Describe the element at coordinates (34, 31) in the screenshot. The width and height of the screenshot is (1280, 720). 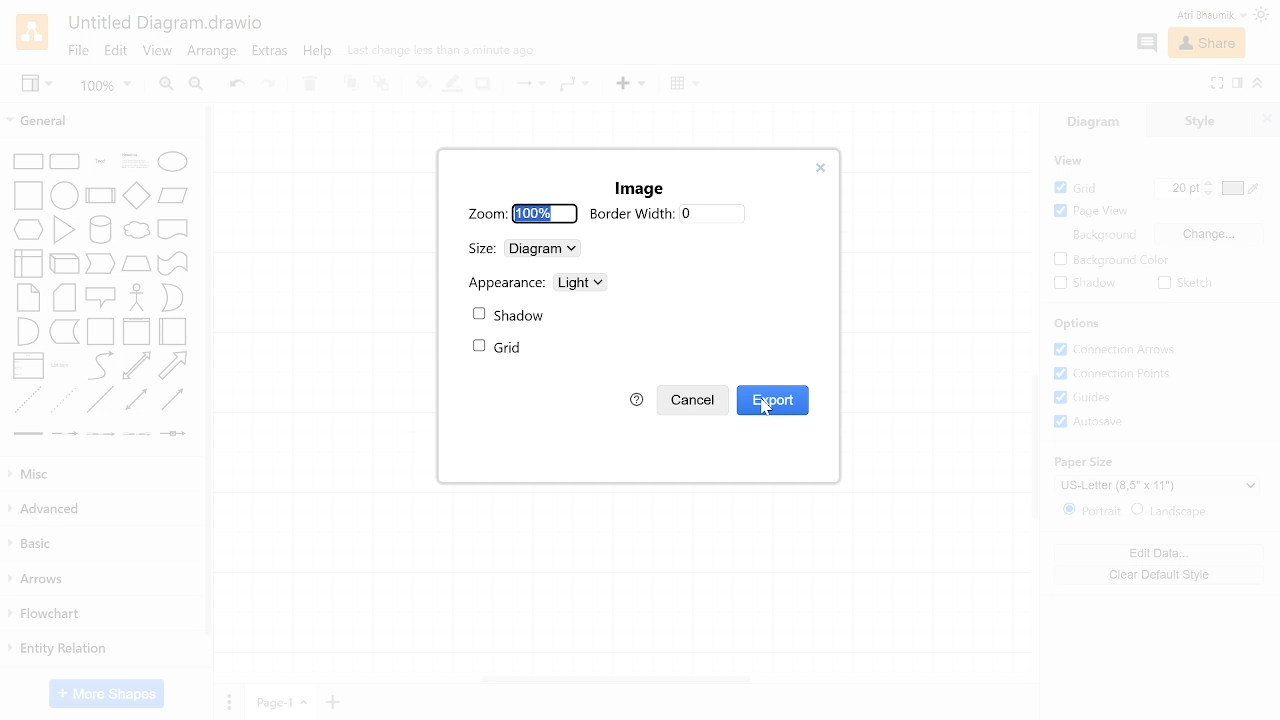
I see `Draw.io logo` at that location.